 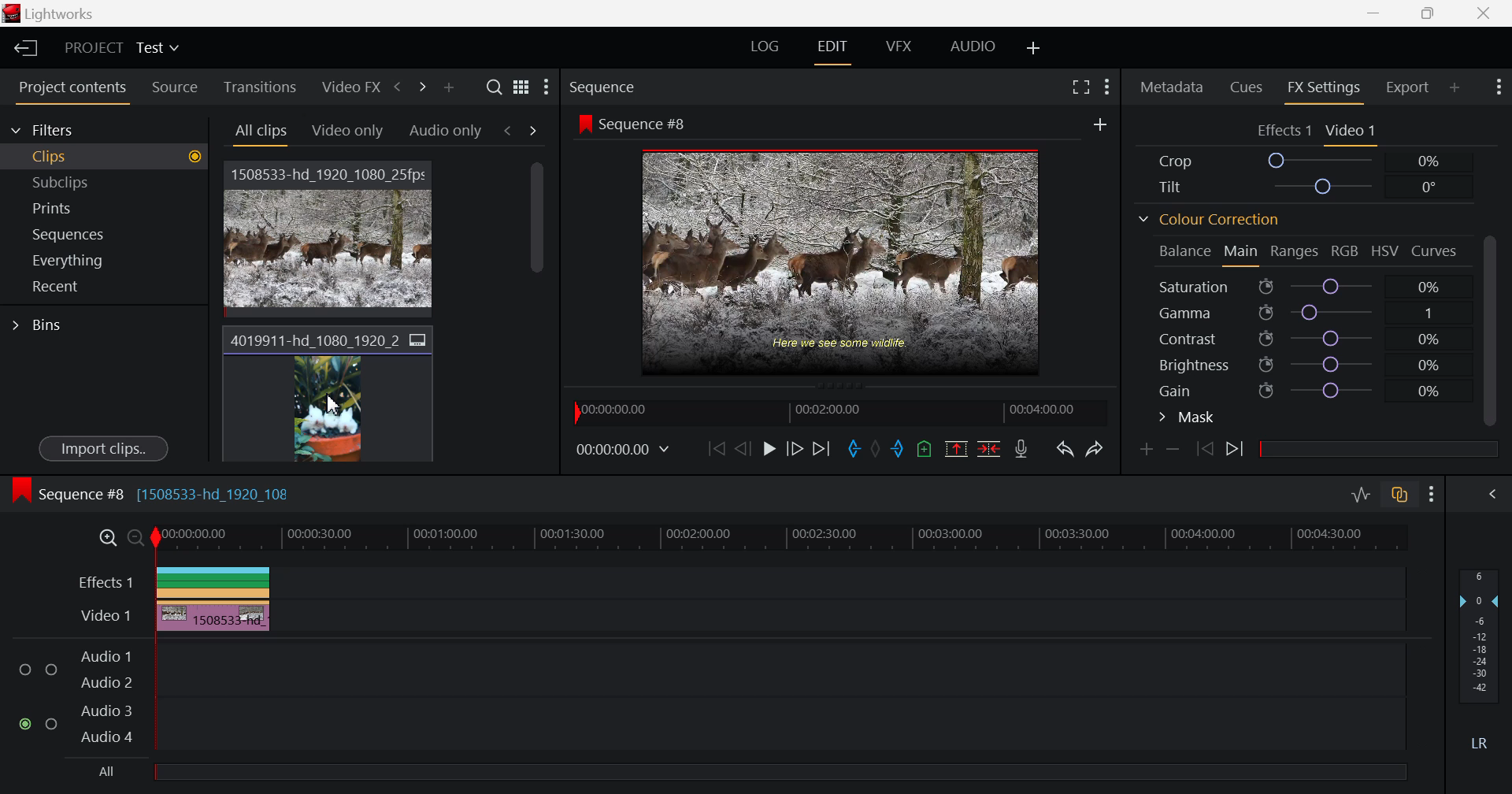 What do you see at coordinates (1209, 220) in the screenshot?
I see `Colour Correction` at bounding box center [1209, 220].